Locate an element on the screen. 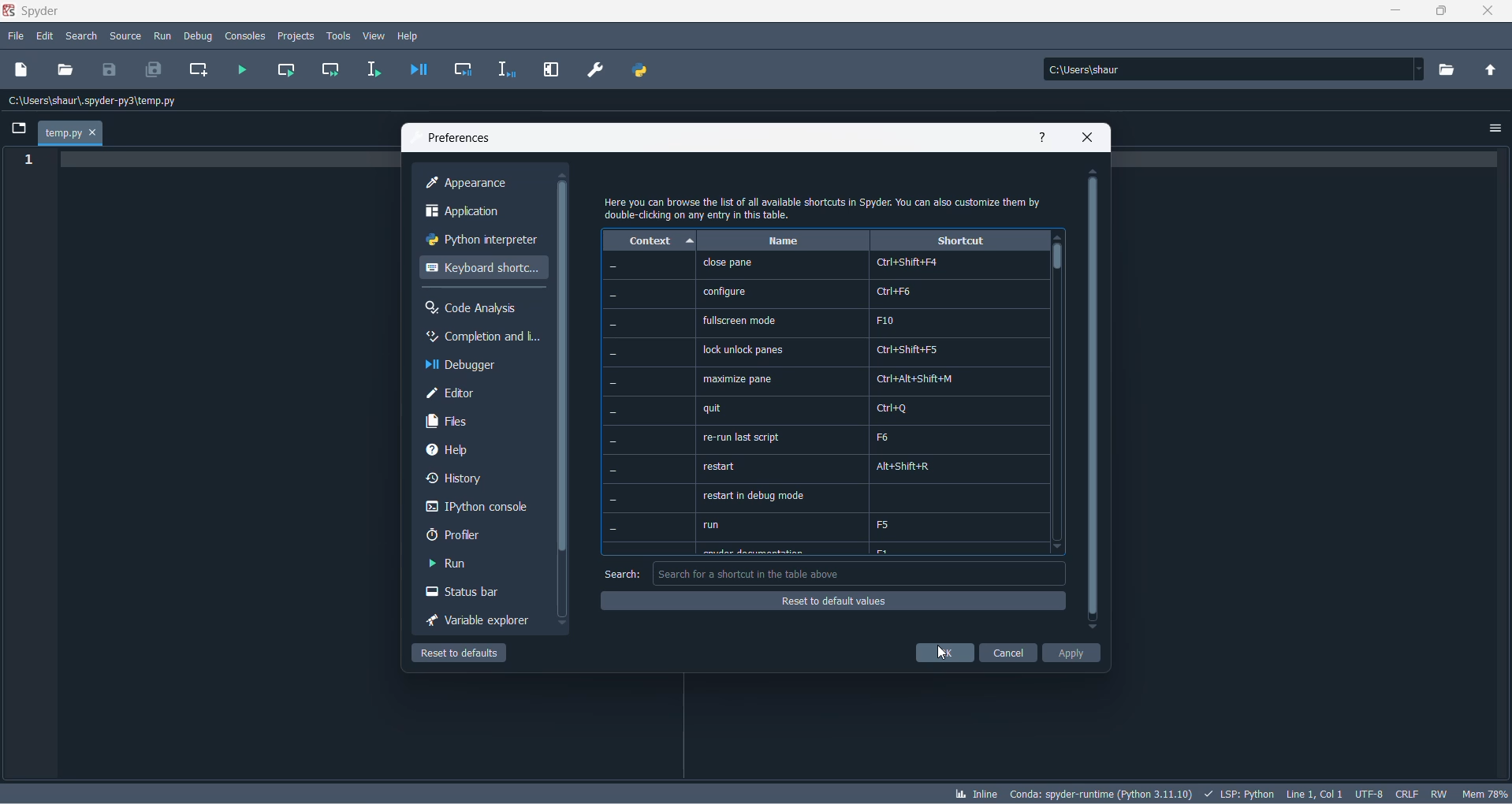  lock unlock panes is located at coordinates (747, 349).